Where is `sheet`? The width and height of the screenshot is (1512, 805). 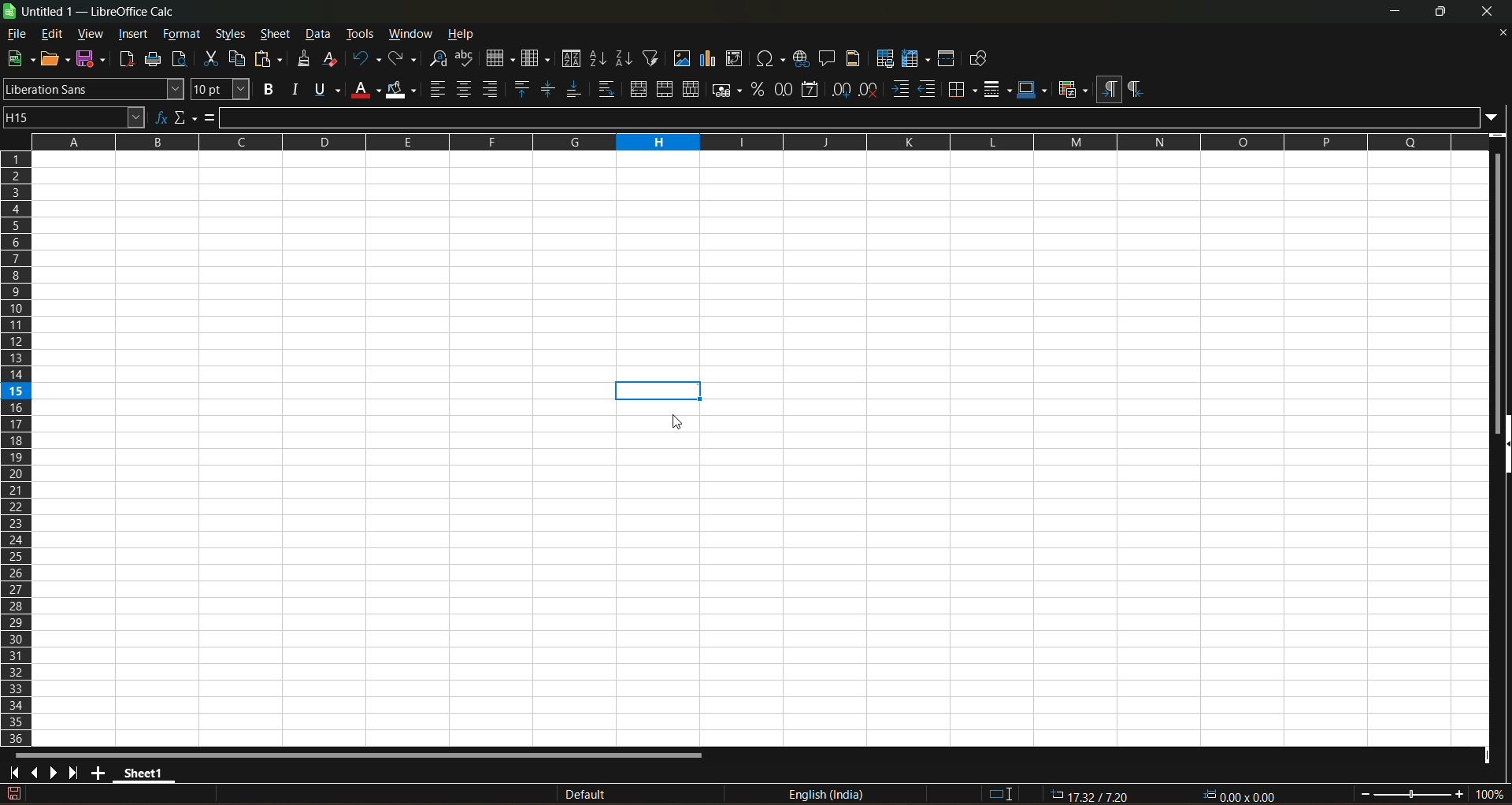 sheet is located at coordinates (278, 34).